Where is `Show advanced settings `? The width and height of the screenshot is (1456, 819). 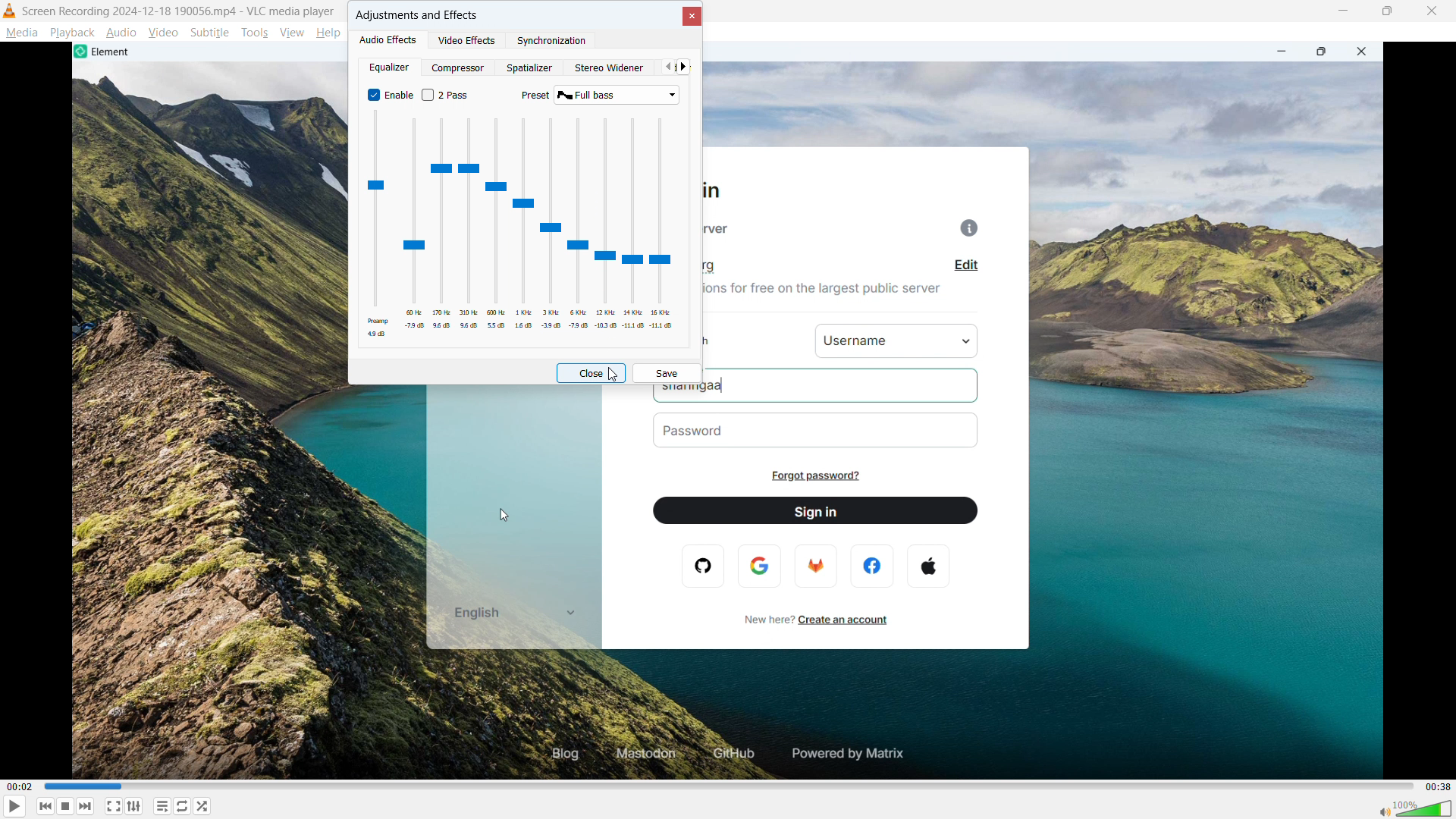
Show advanced settings  is located at coordinates (139, 807).